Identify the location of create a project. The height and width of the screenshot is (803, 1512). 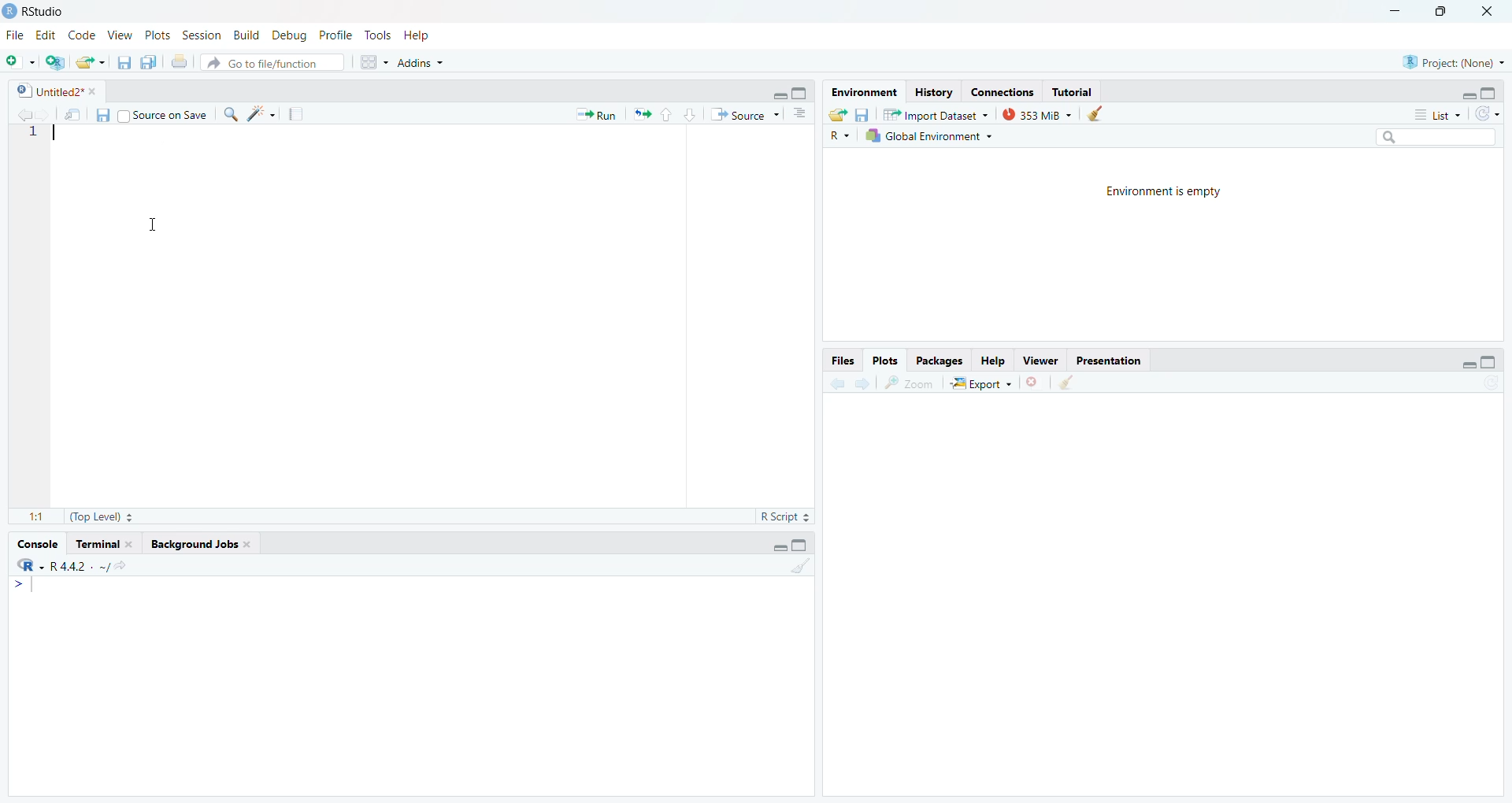
(56, 63).